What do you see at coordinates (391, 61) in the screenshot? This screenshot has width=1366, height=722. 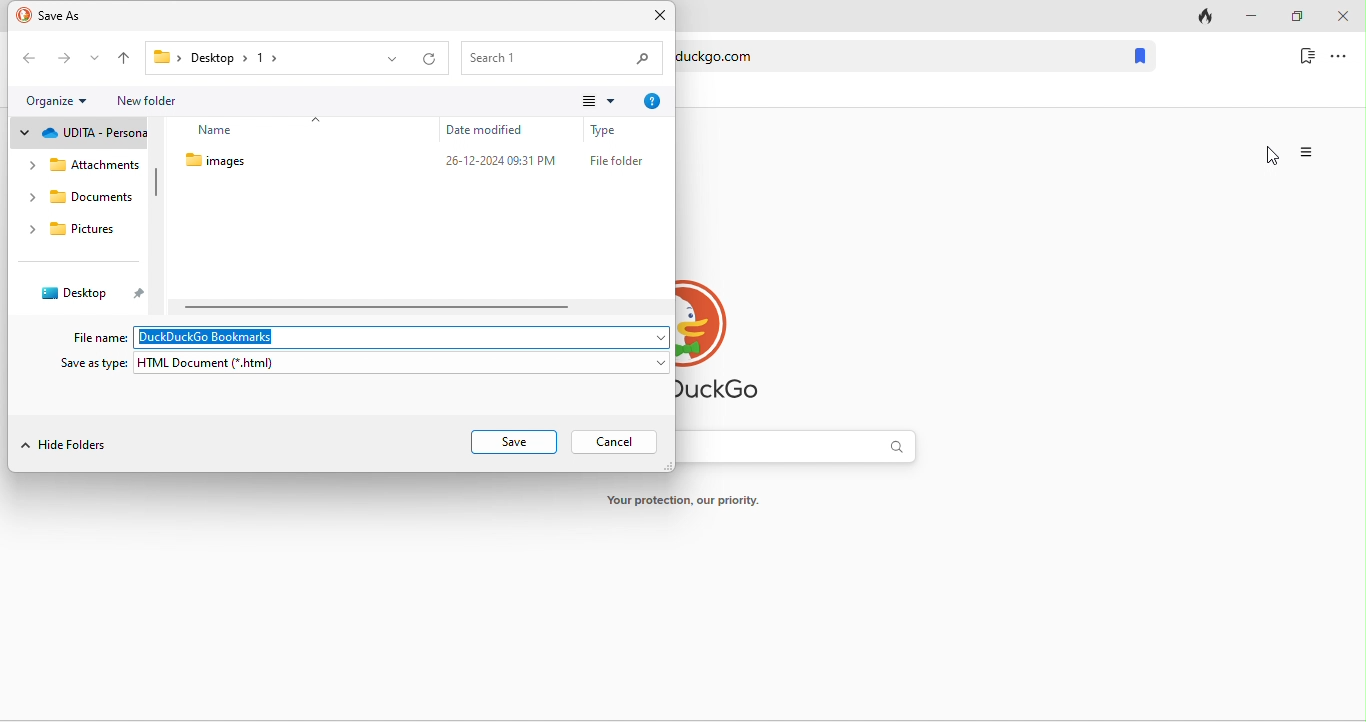 I see `previous location` at bounding box center [391, 61].